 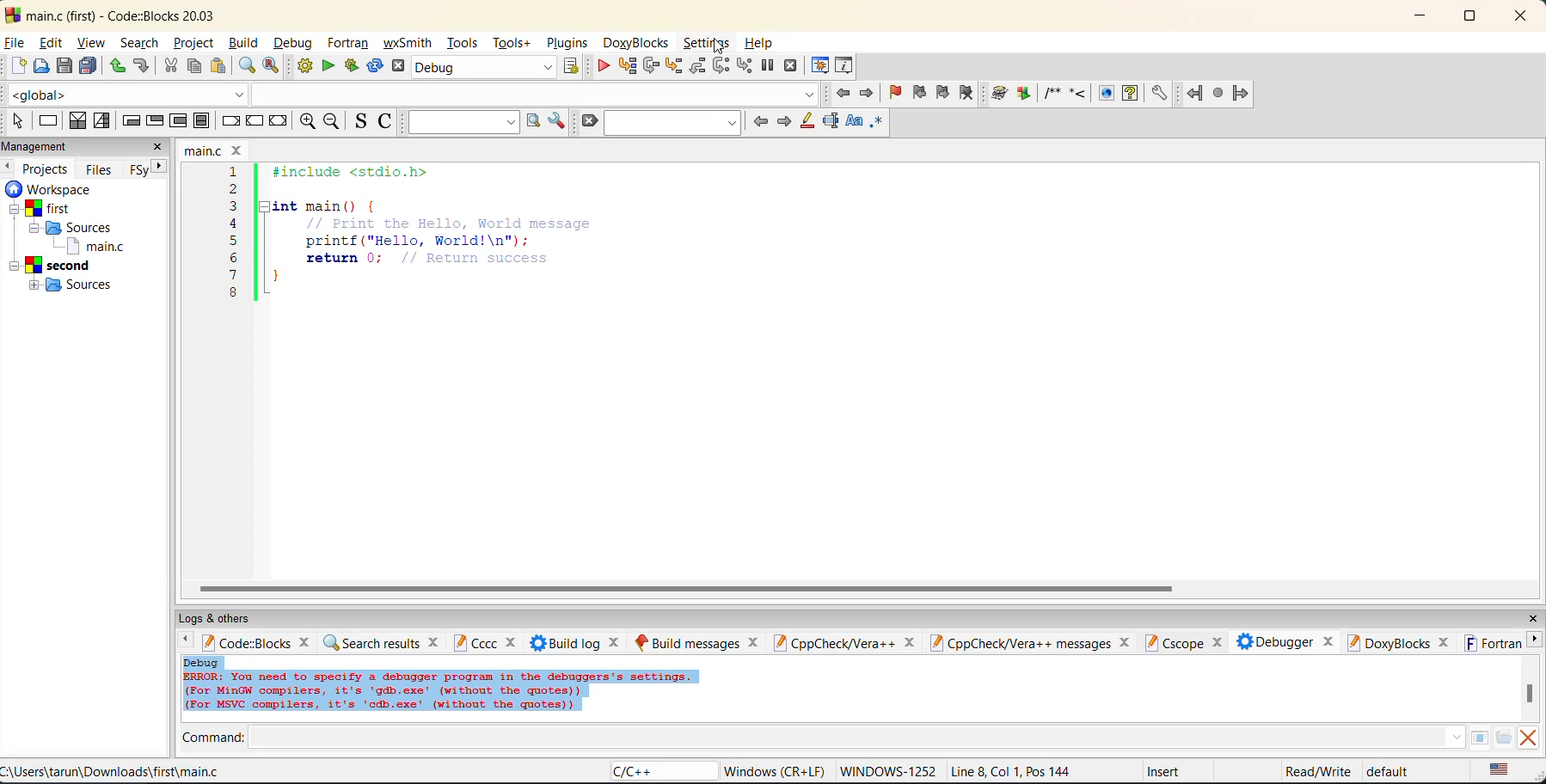 What do you see at coordinates (48, 43) in the screenshot?
I see `edit` at bounding box center [48, 43].